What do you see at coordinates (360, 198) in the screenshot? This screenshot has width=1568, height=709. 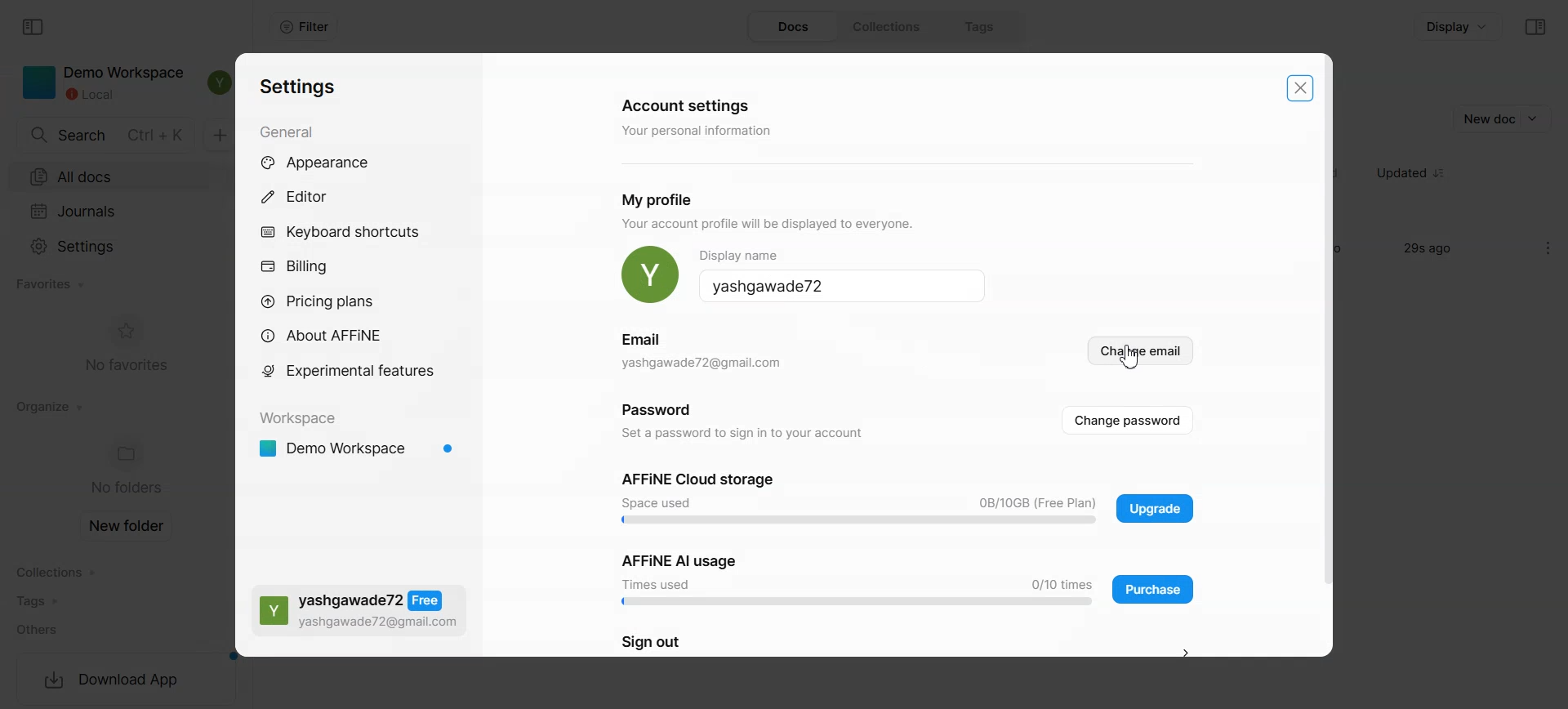 I see `Editor` at bounding box center [360, 198].